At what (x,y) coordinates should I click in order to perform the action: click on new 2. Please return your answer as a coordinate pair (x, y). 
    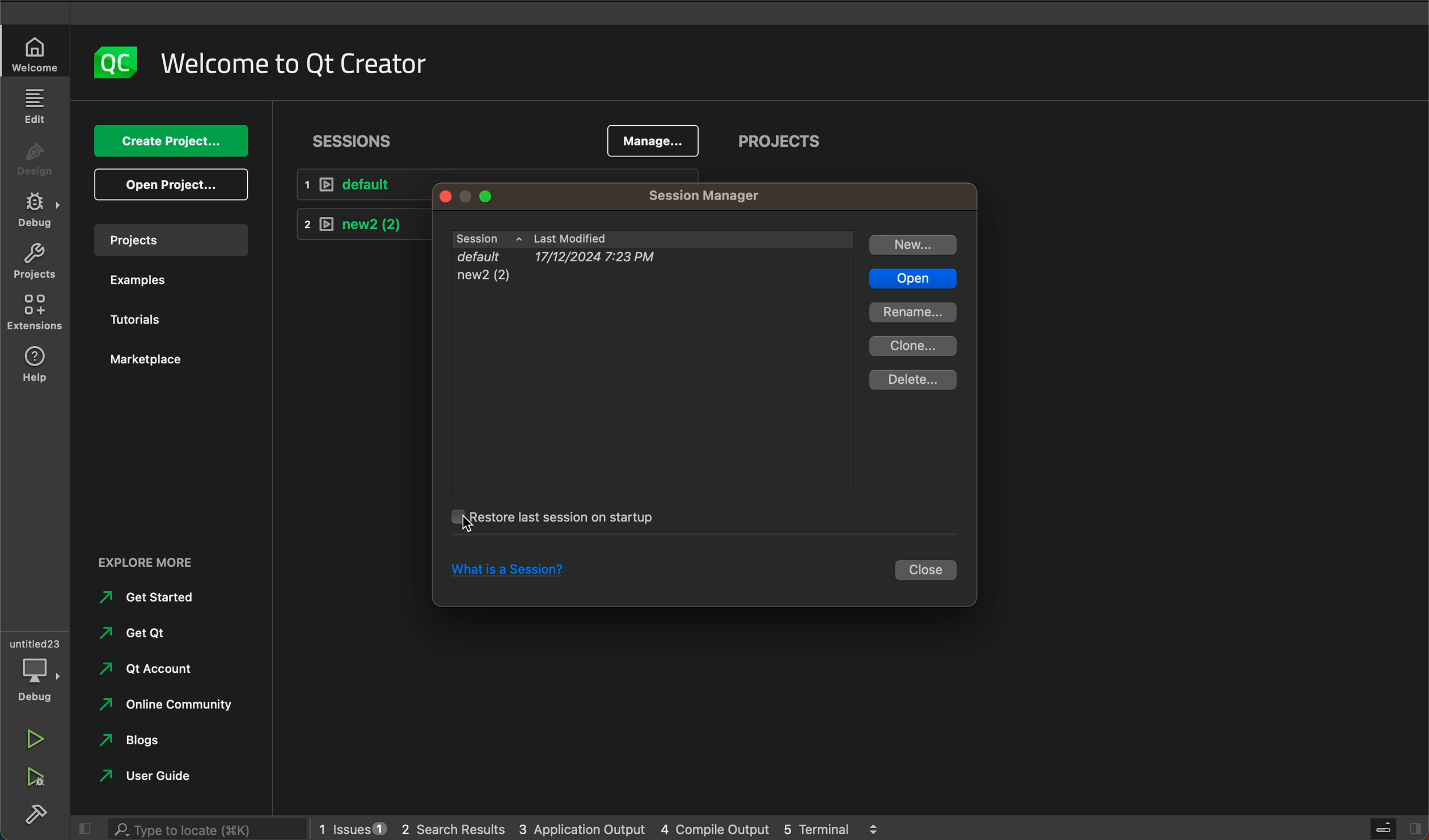
    Looking at the image, I should click on (358, 226).